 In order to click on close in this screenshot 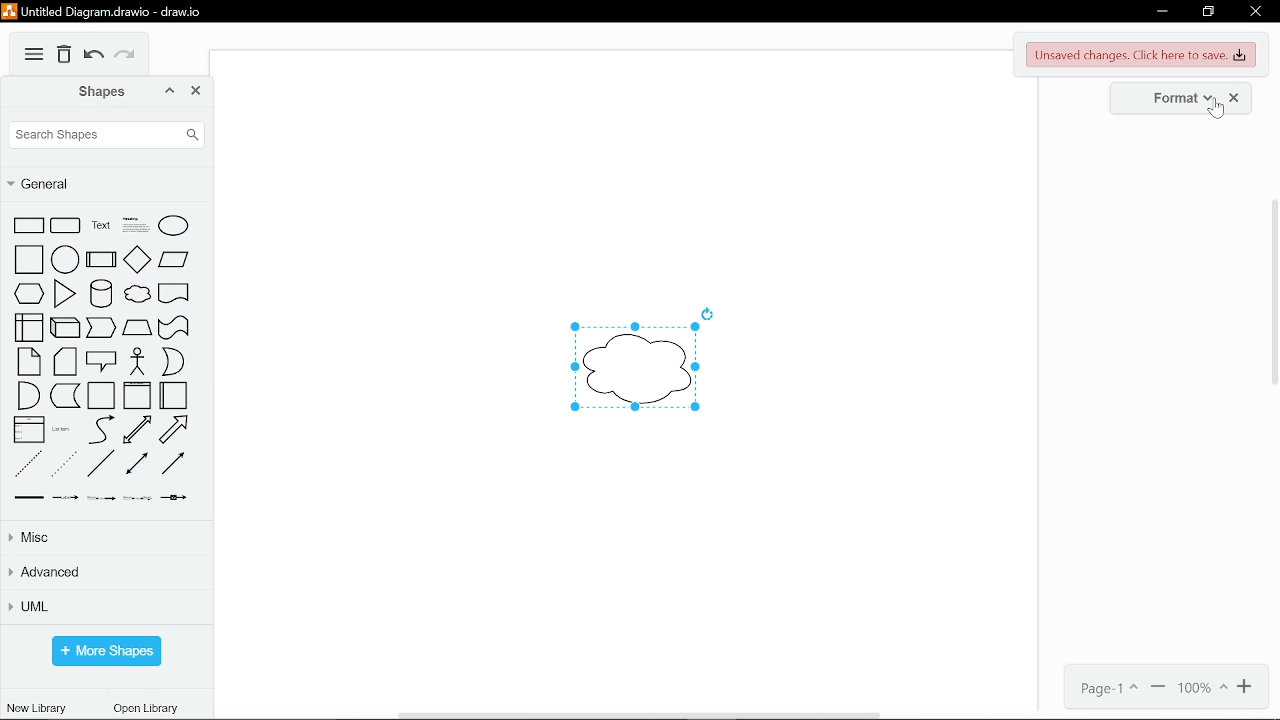, I will do `click(1257, 12)`.